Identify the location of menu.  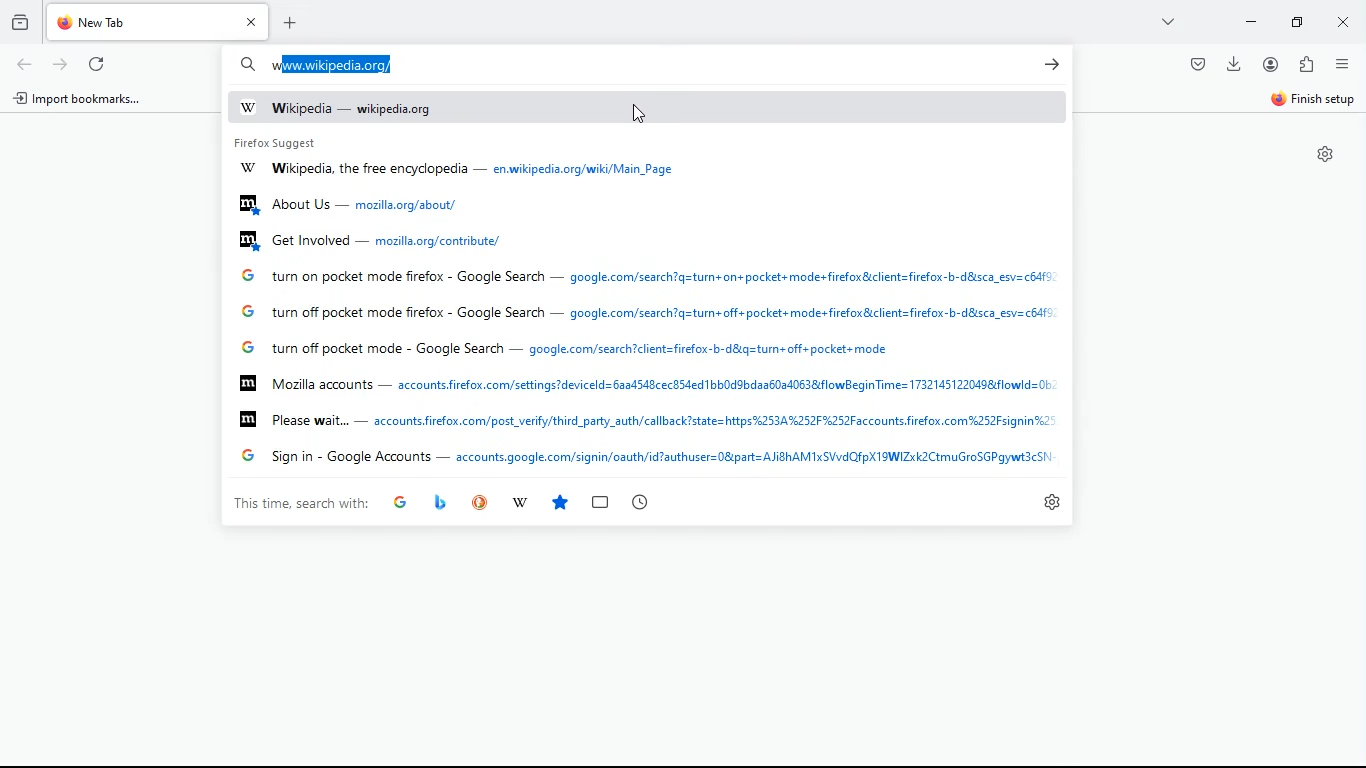
(1342, 64).